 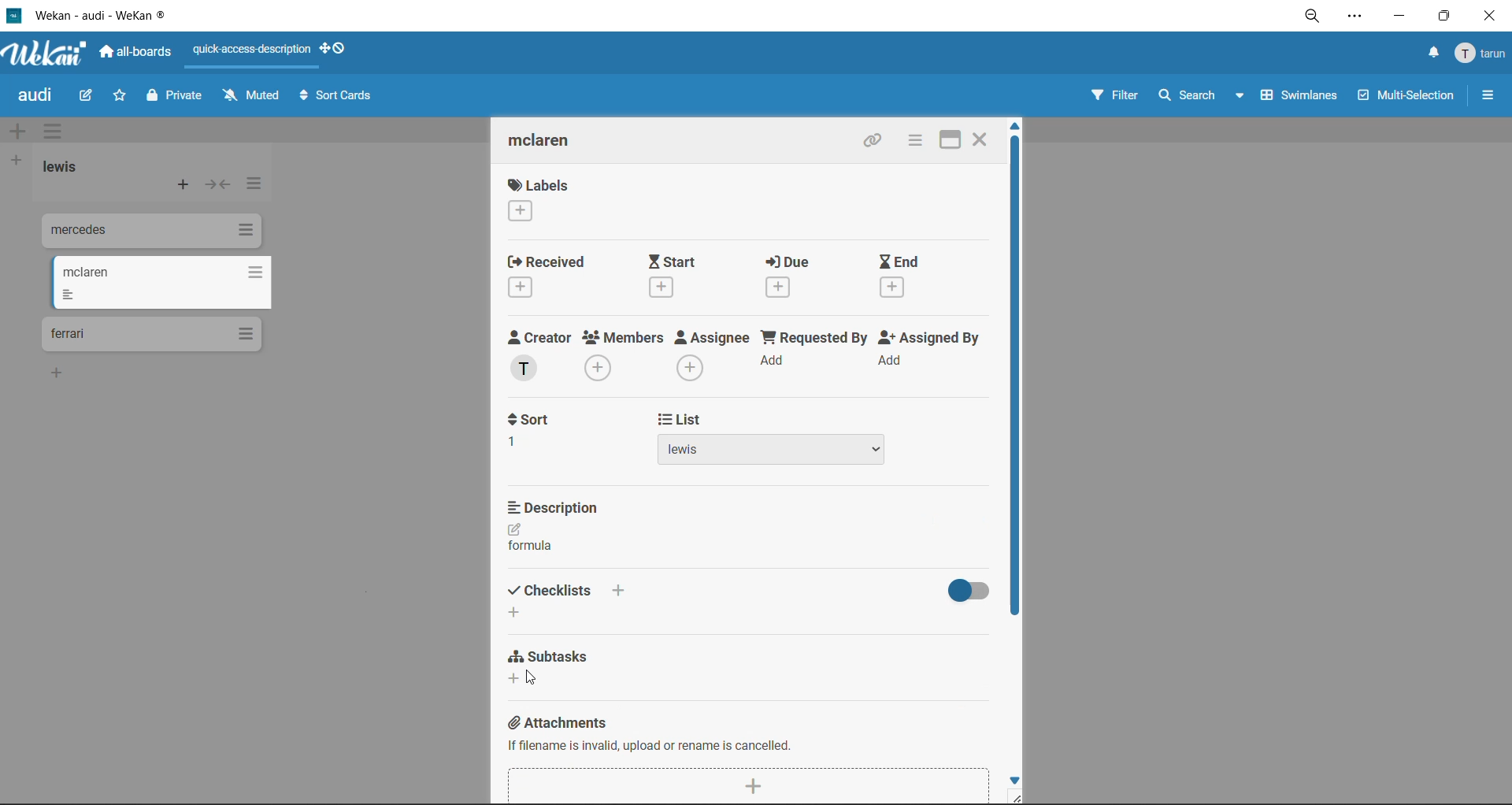 I want to click on close, so click(x=1494, y=16).